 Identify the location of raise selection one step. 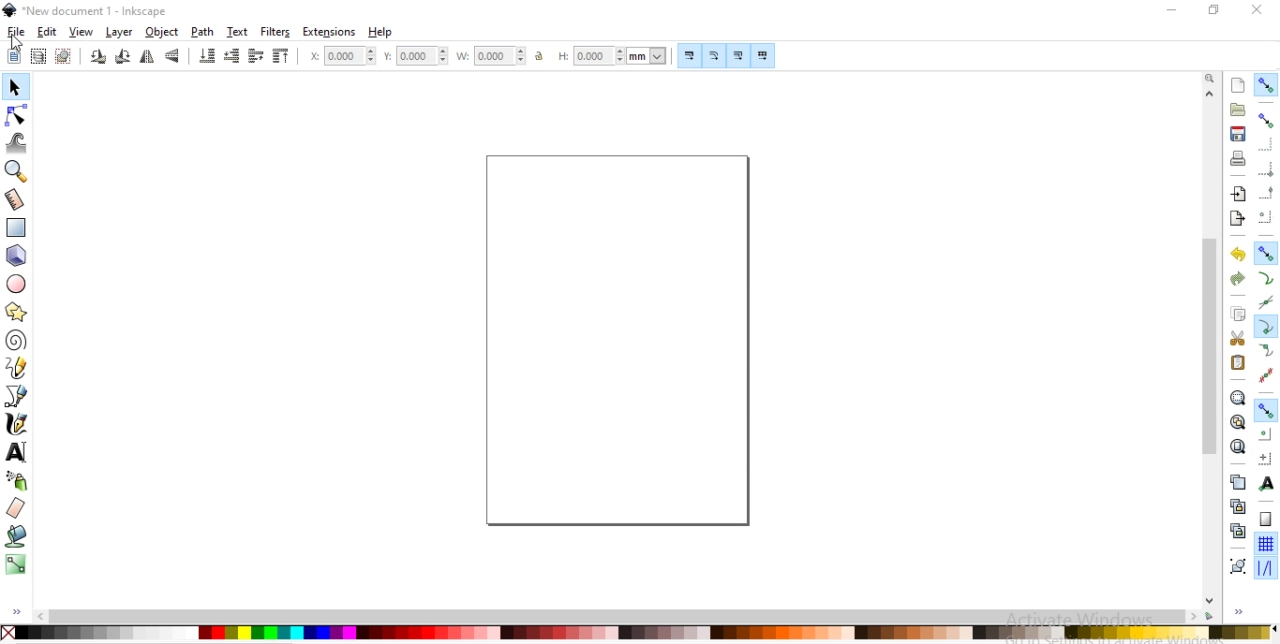
(254, 57).